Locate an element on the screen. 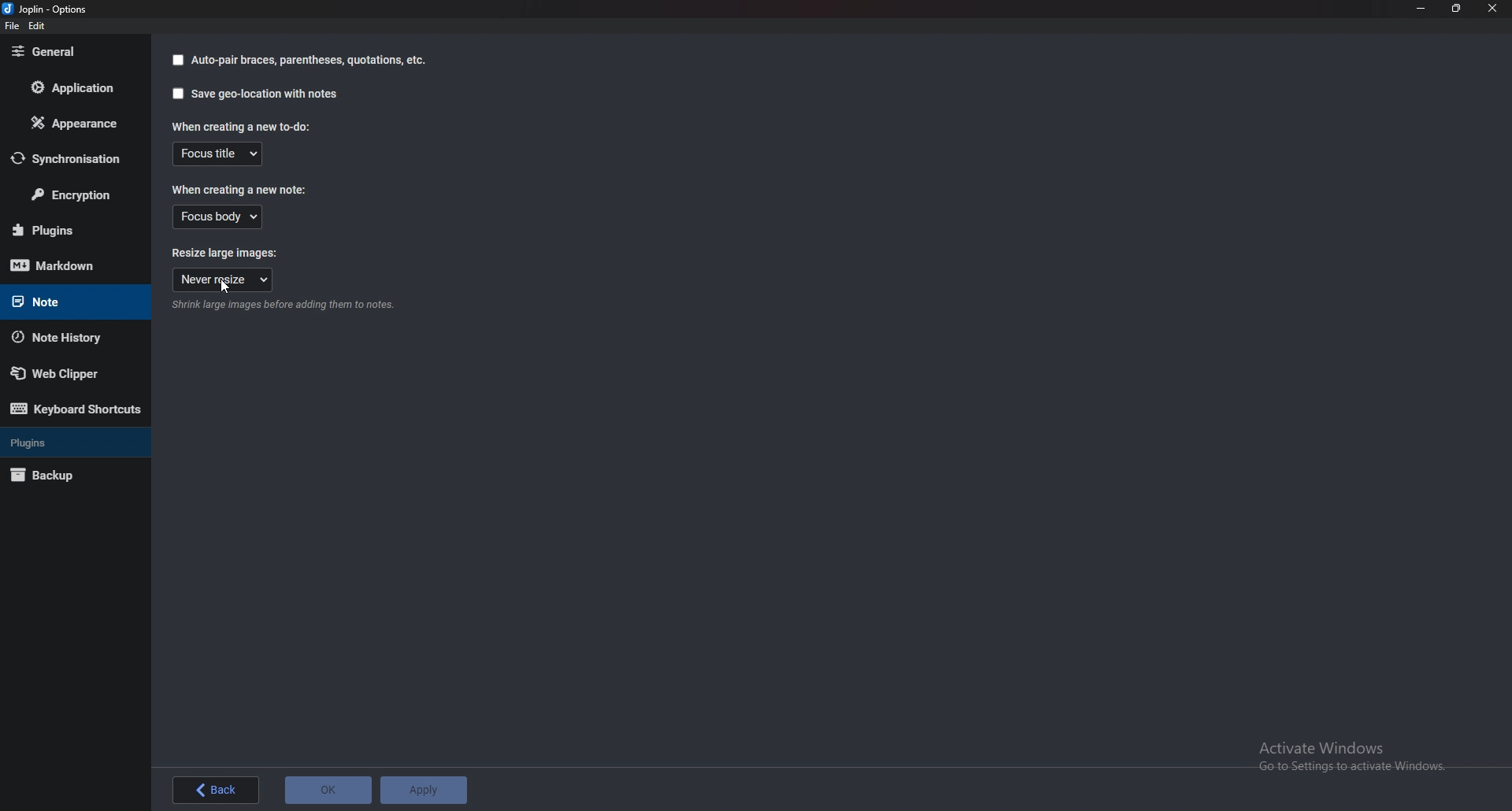  note is located at coordinates (64, 302).